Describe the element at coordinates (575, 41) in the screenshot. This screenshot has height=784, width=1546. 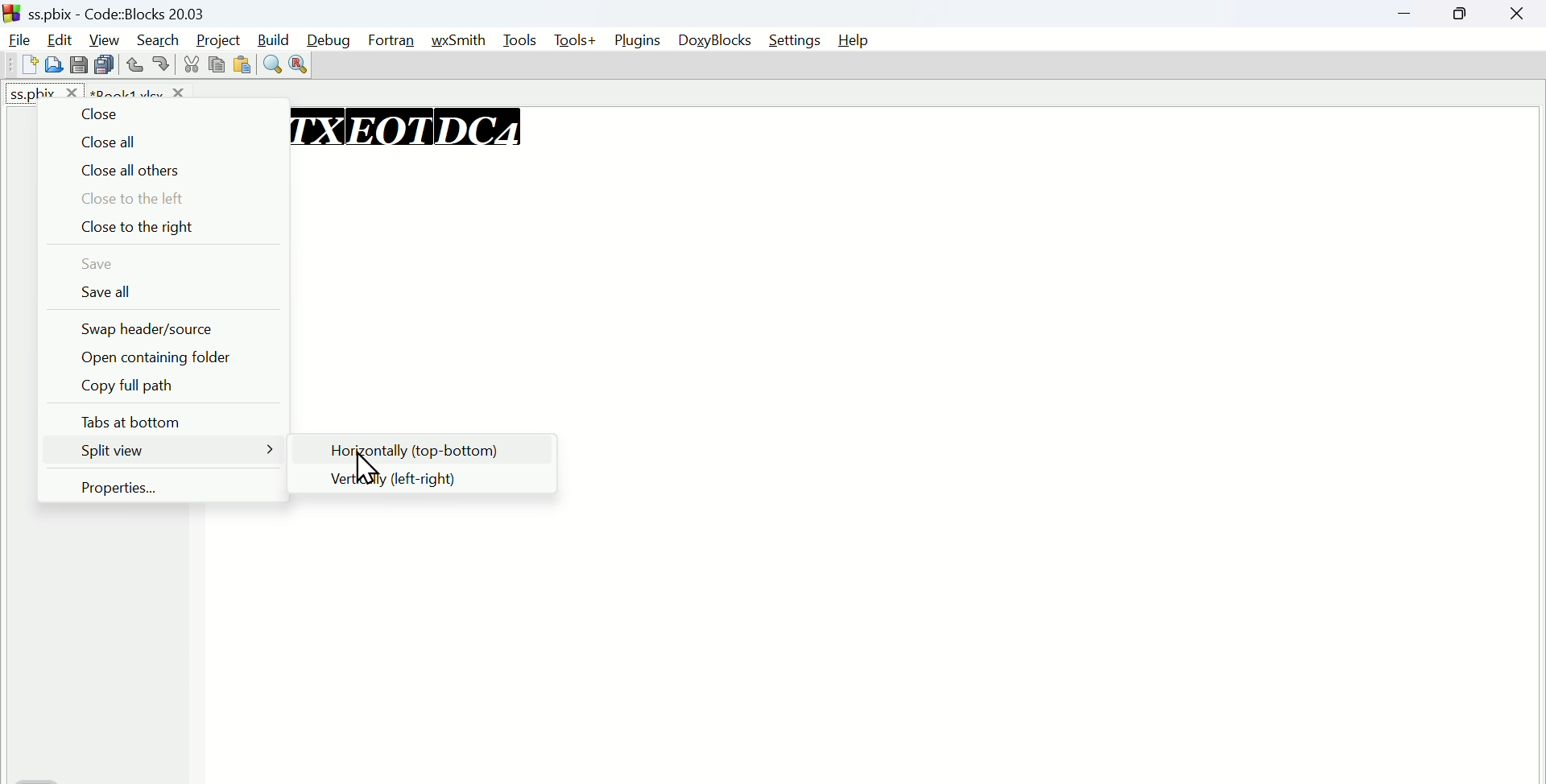
I see `Tools+` at that location.